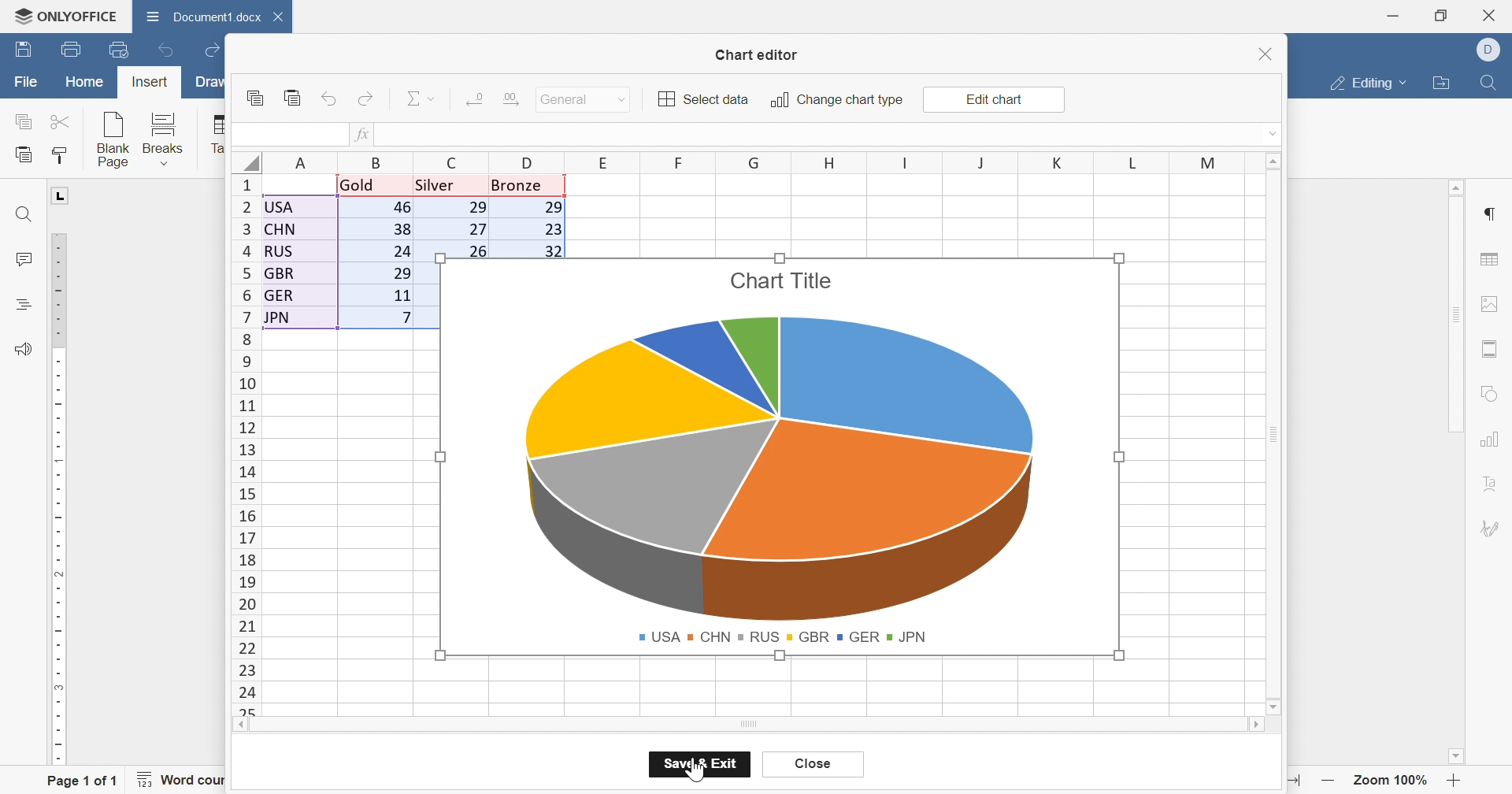 This screenshot has height=794, width=1512. Describe the element at coordinates (366, 97) in the screenshot. I see `Redo` at that location.